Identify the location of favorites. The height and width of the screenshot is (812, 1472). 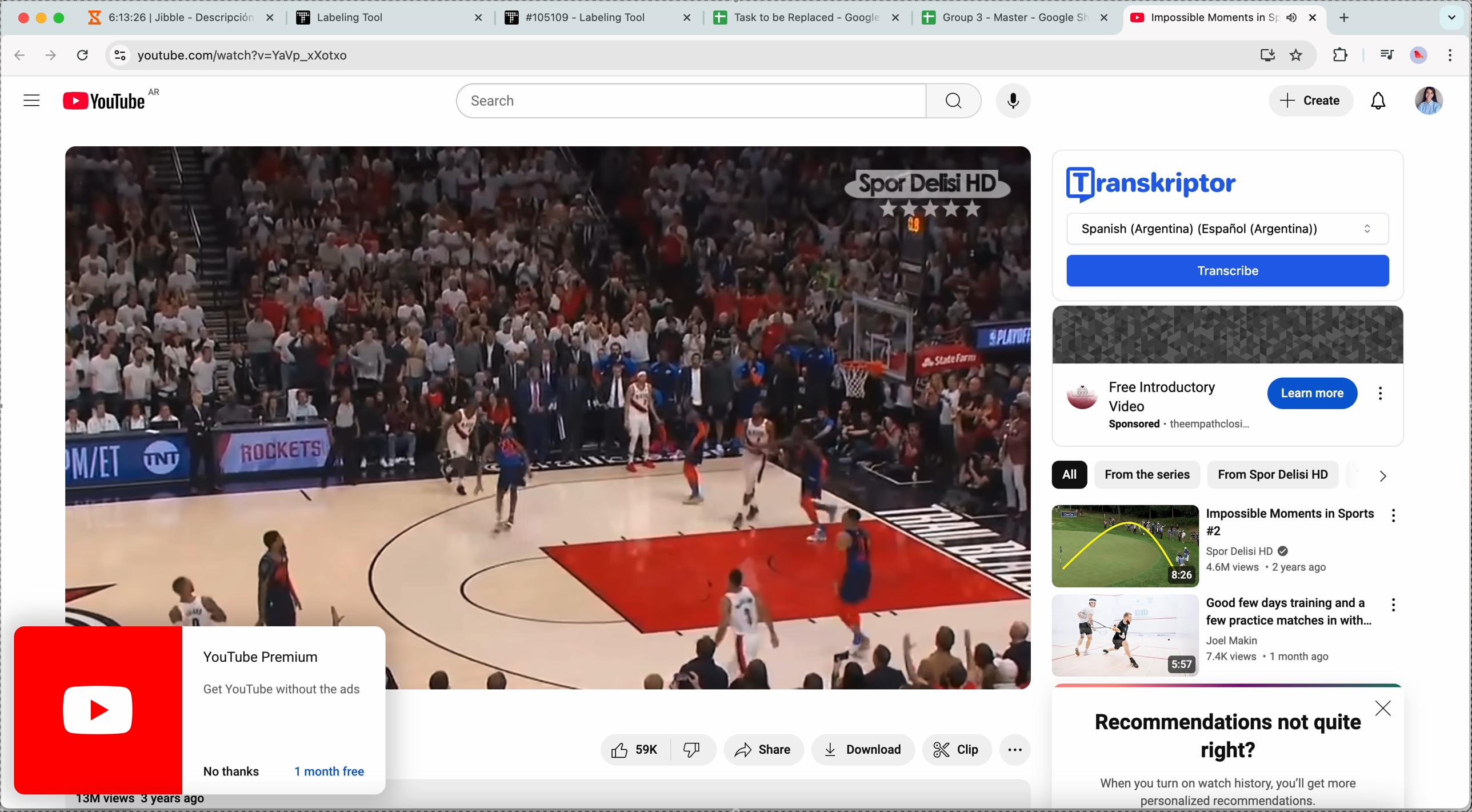
(1298, 55).